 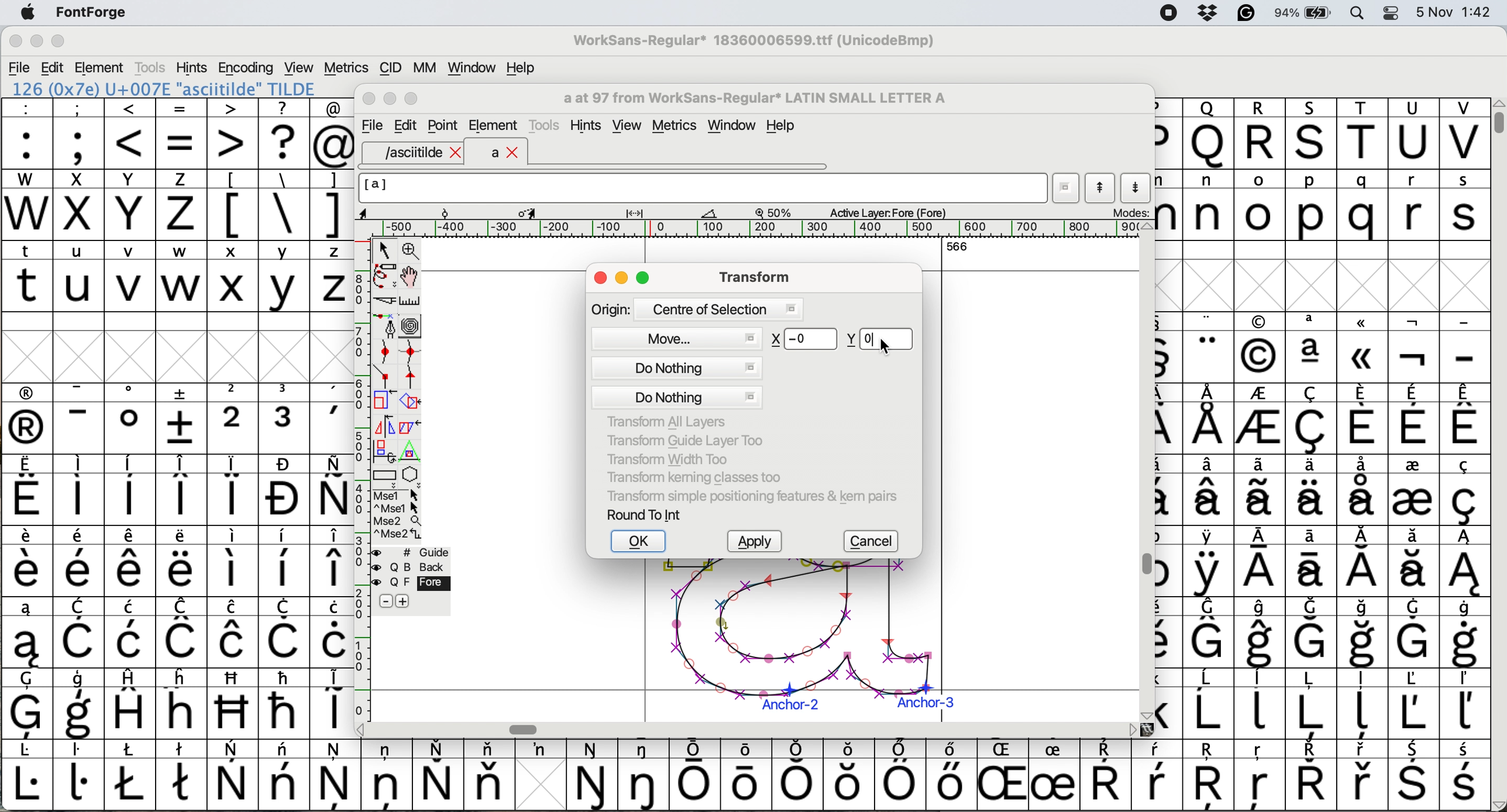 What do you see at coordinates (949, 774) in the screenshot?
I see `symbol` at bounding box center [949, 774].